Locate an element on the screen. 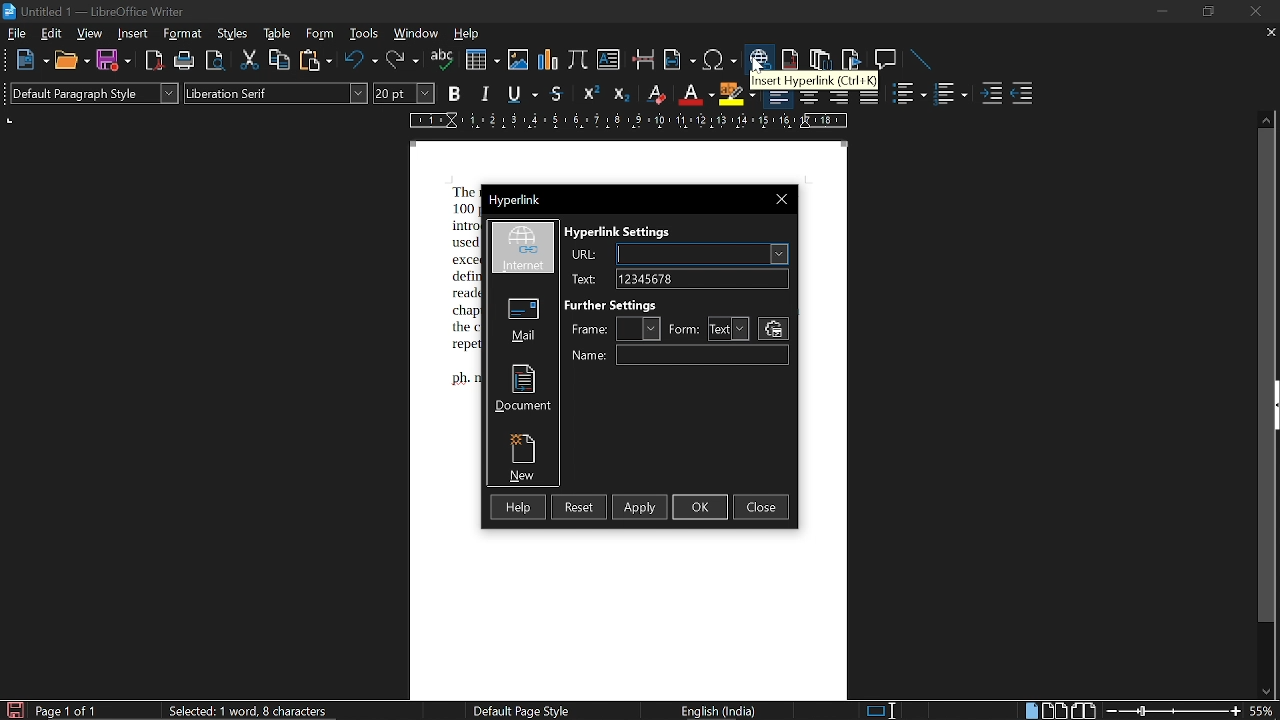 The height and width of the screenshot is (720, 1280). paste is located at coordinates (316, 60).